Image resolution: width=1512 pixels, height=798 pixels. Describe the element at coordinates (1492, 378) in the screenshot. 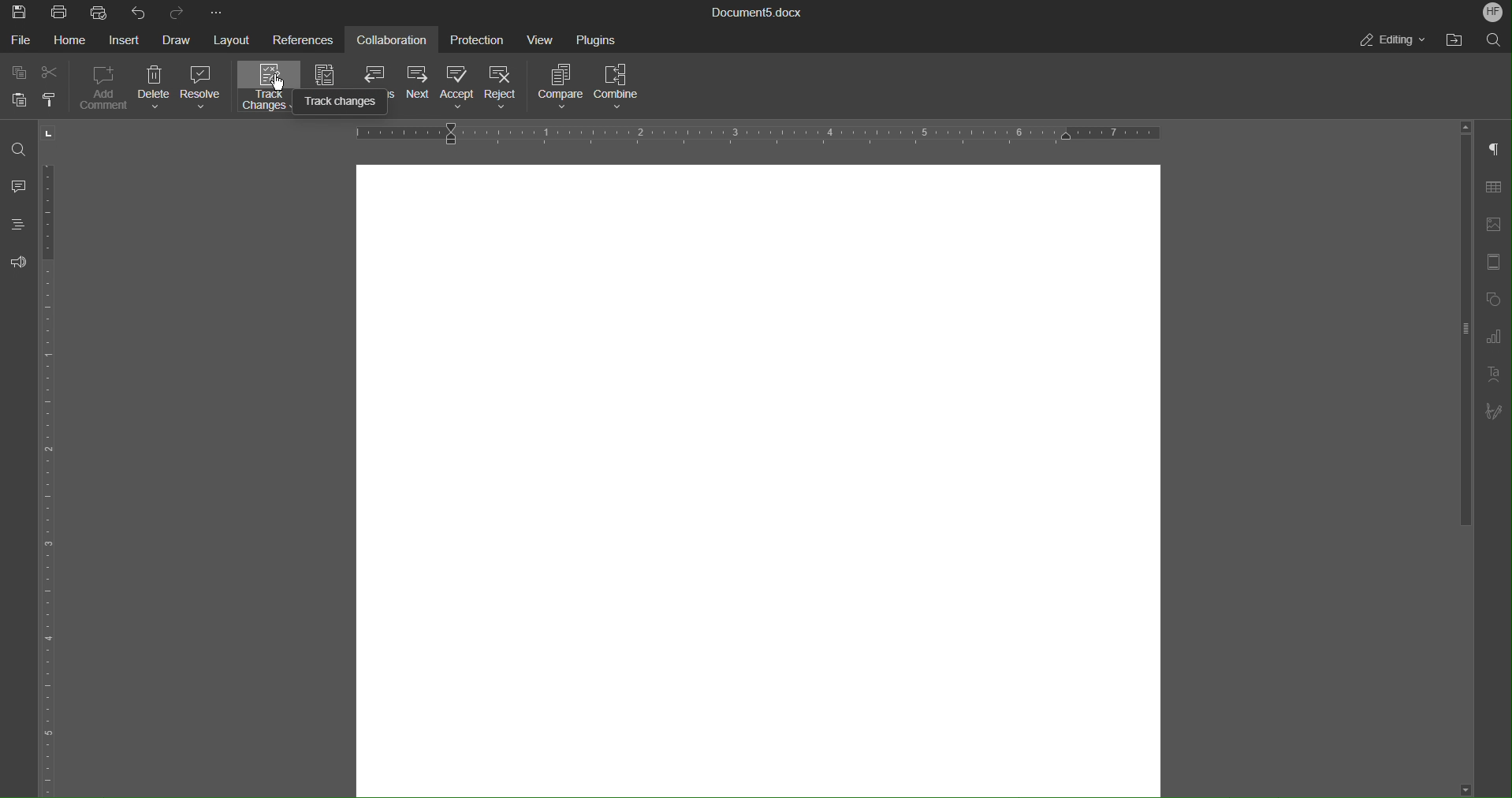

I see `Text Art` at that location.